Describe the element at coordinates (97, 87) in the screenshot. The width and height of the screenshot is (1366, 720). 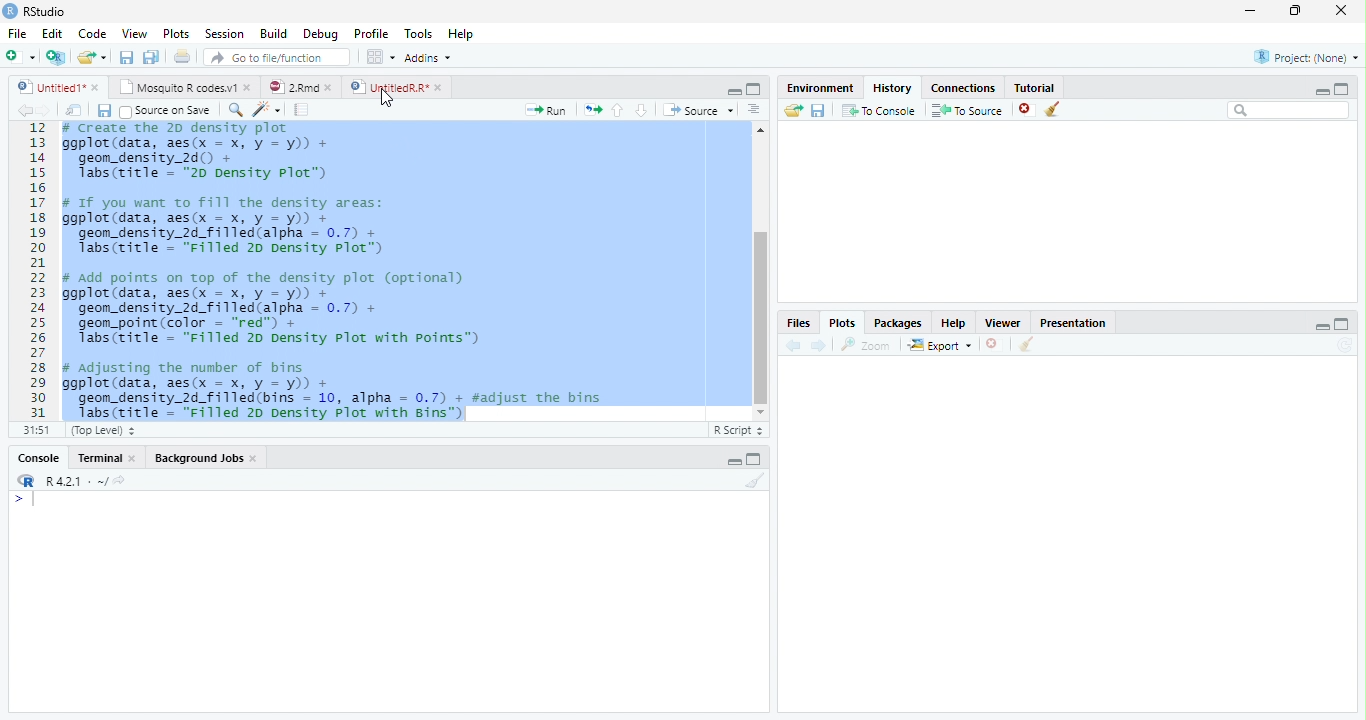
I see `close` at that location.